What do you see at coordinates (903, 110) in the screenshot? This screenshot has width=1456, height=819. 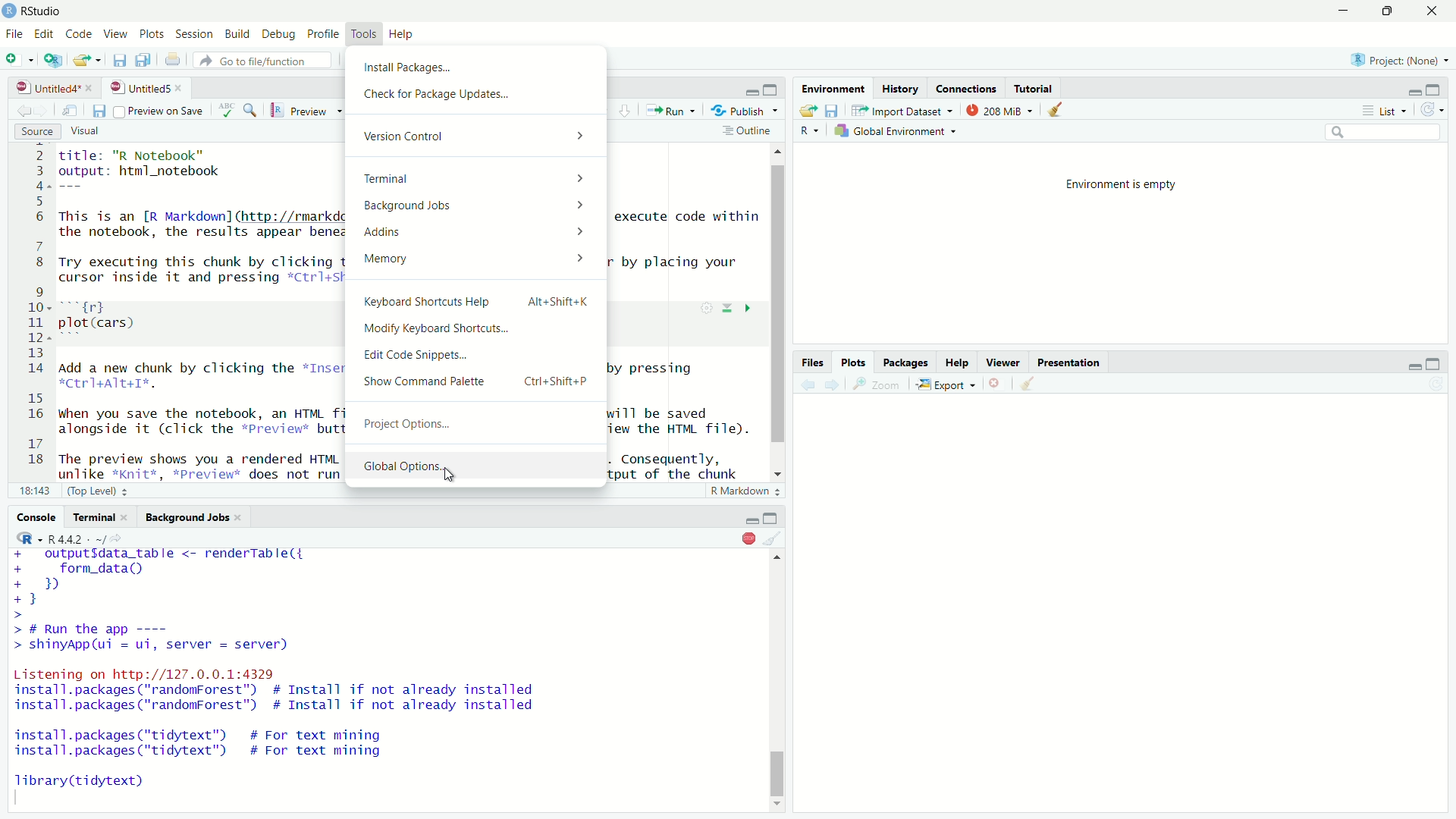 I see `Import Dataset ` at bounding box center [903, 110].